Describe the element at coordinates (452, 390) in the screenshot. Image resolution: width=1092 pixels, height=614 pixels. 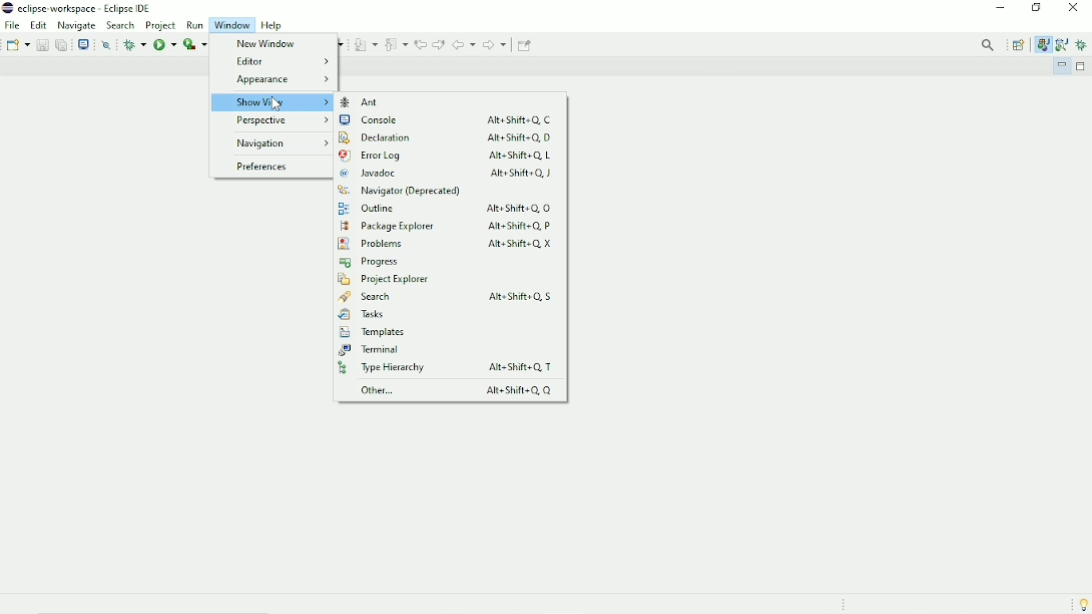
I see `Other` at that location.